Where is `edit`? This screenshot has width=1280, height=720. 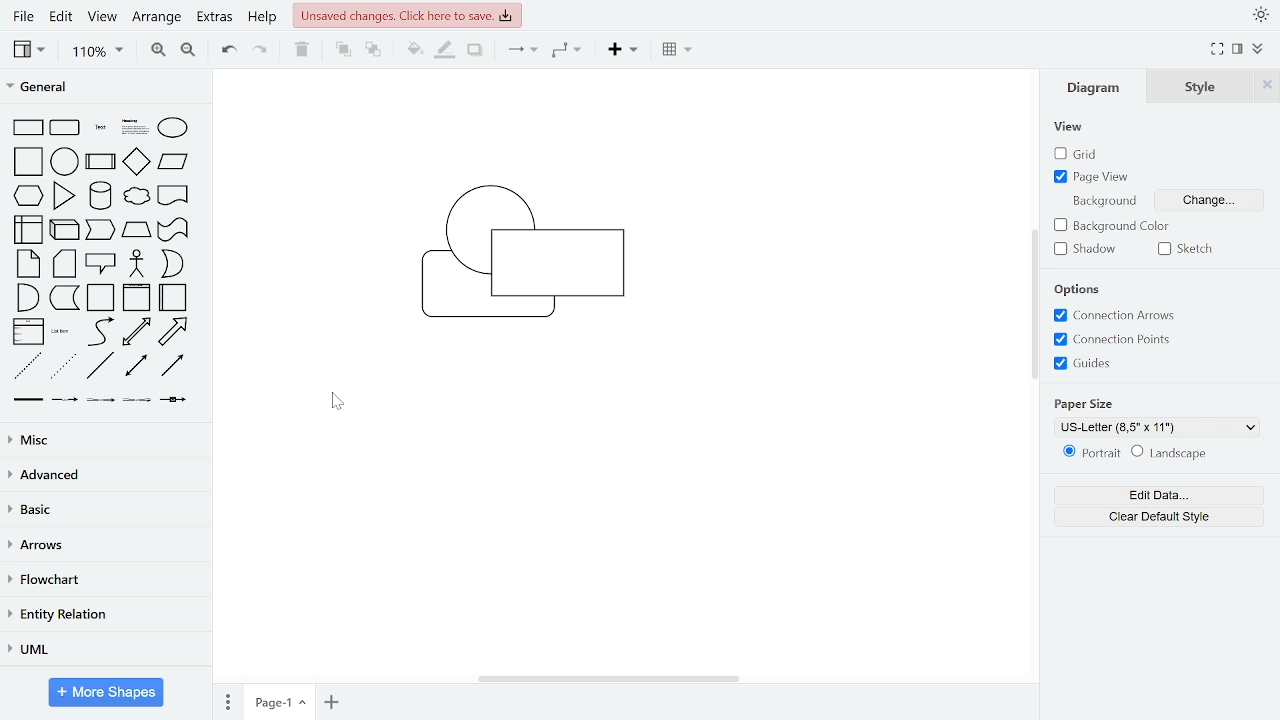 edit is located at coordinates (61, 16).